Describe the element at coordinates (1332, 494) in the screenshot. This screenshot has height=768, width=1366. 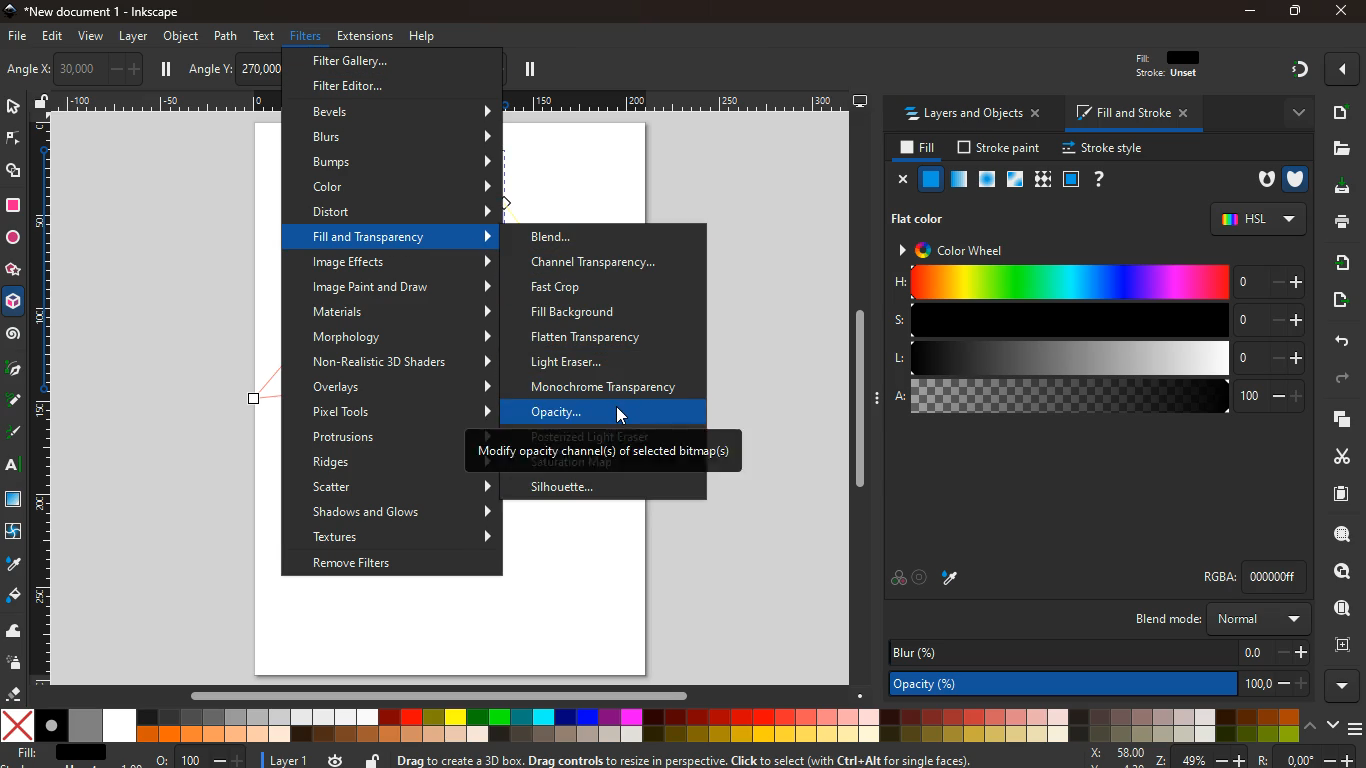
I see `paper` at that location.